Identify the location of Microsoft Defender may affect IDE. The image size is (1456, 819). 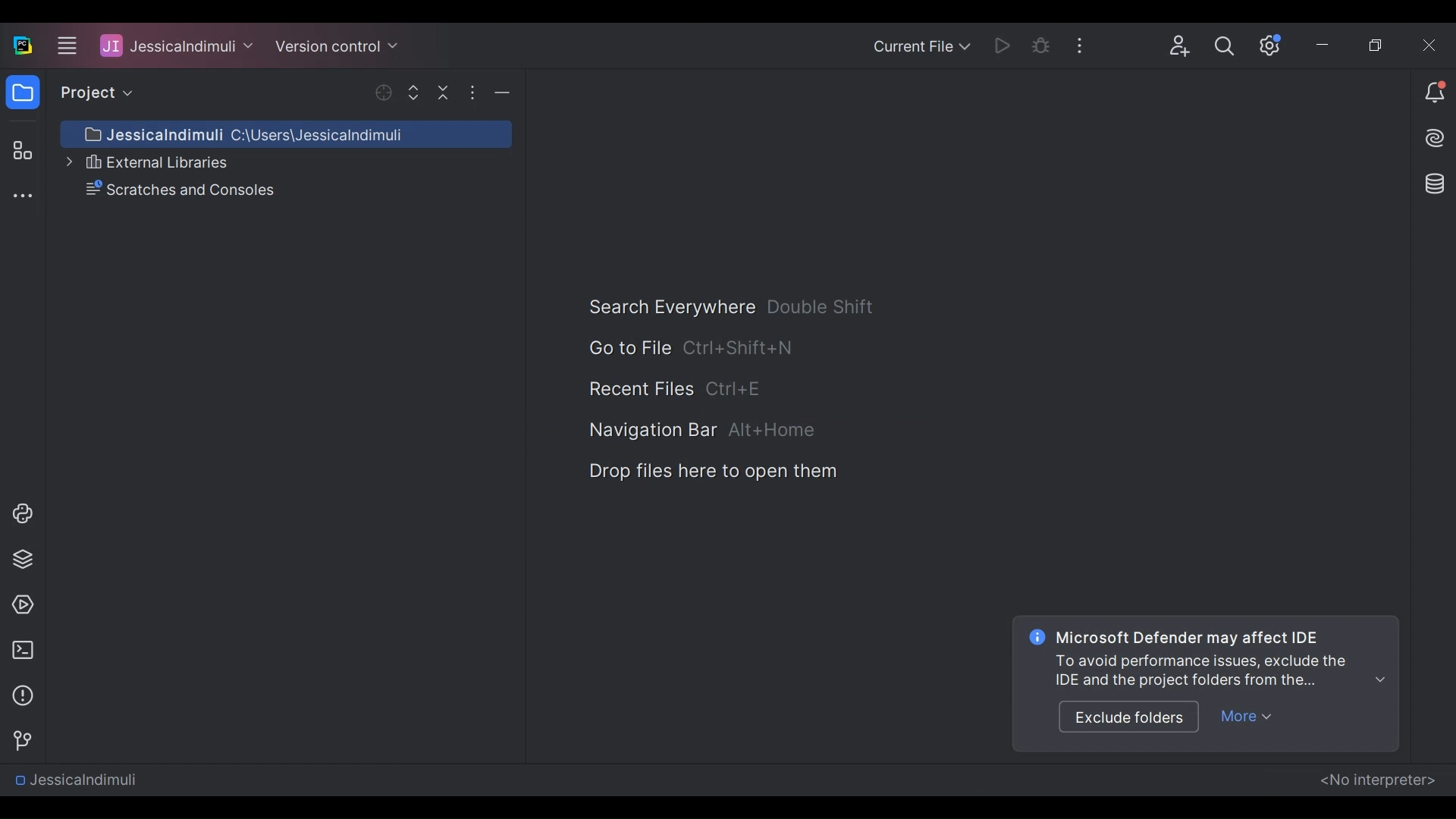
(1173, 638).